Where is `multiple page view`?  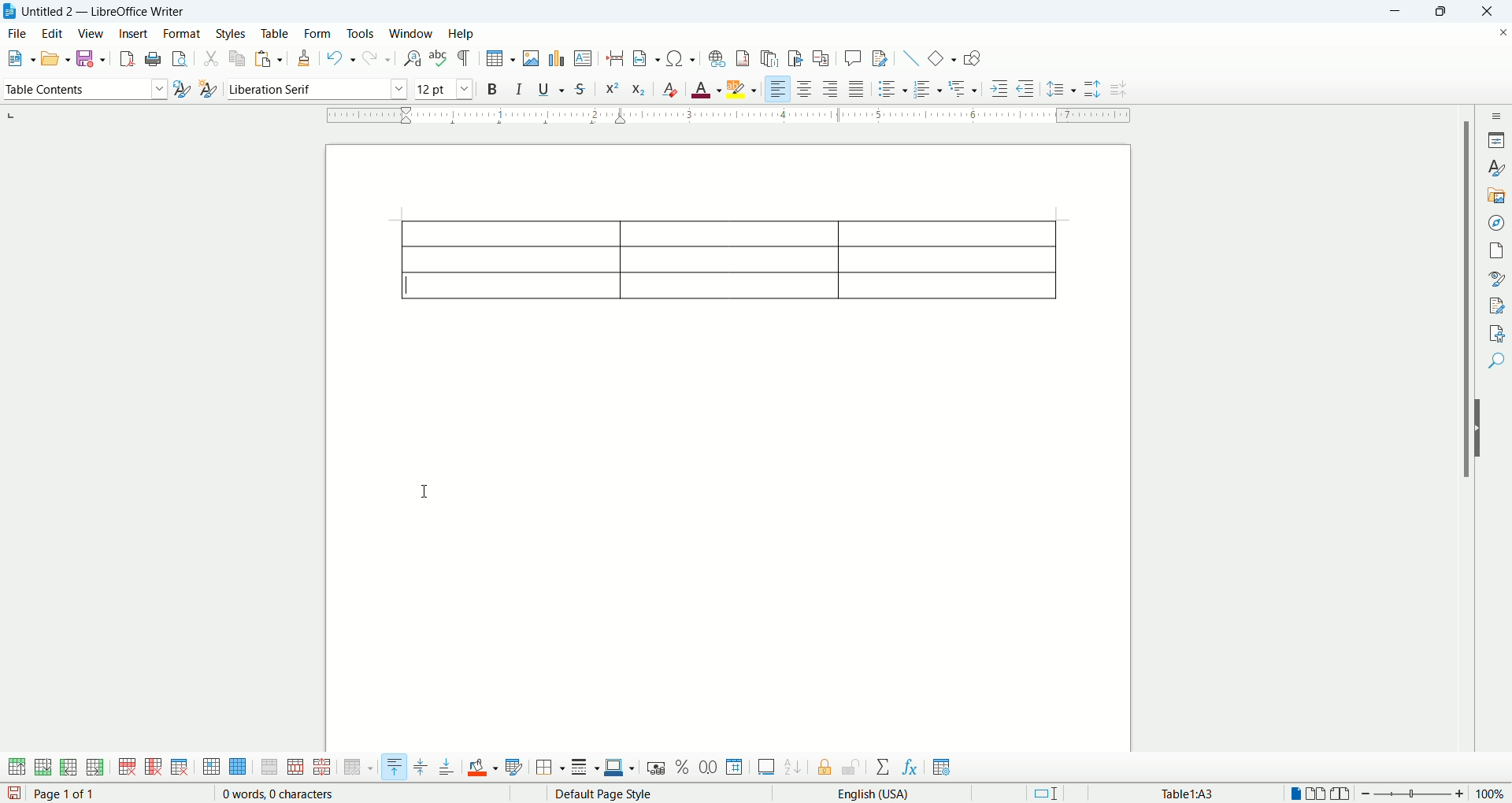 multiple page view is located at coordinates (1317, 792).